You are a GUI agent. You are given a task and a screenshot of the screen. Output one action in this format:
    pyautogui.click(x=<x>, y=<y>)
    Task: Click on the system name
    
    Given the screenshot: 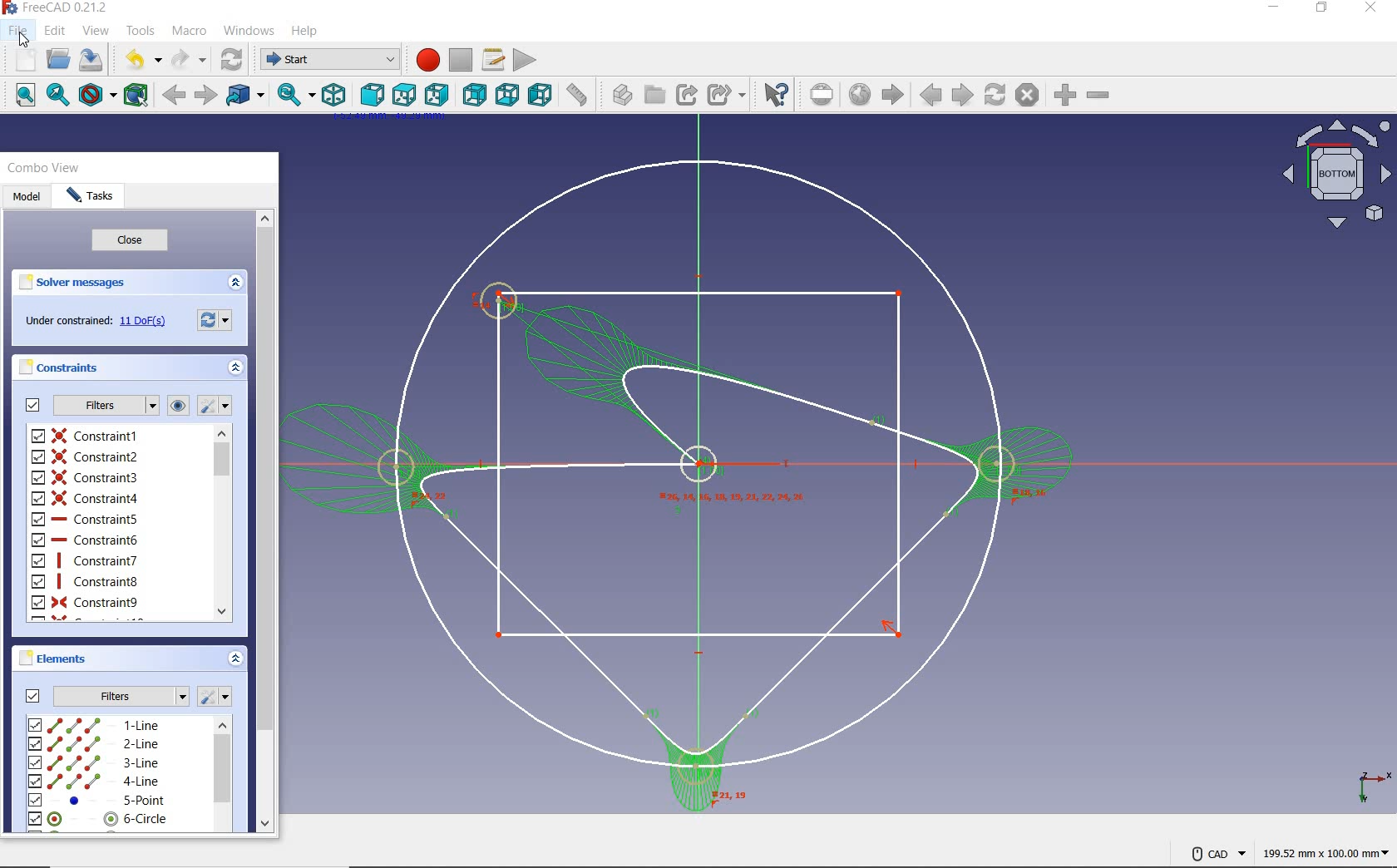 What is the action you would take?
    pyautogui.click(x=57, y=7)
    